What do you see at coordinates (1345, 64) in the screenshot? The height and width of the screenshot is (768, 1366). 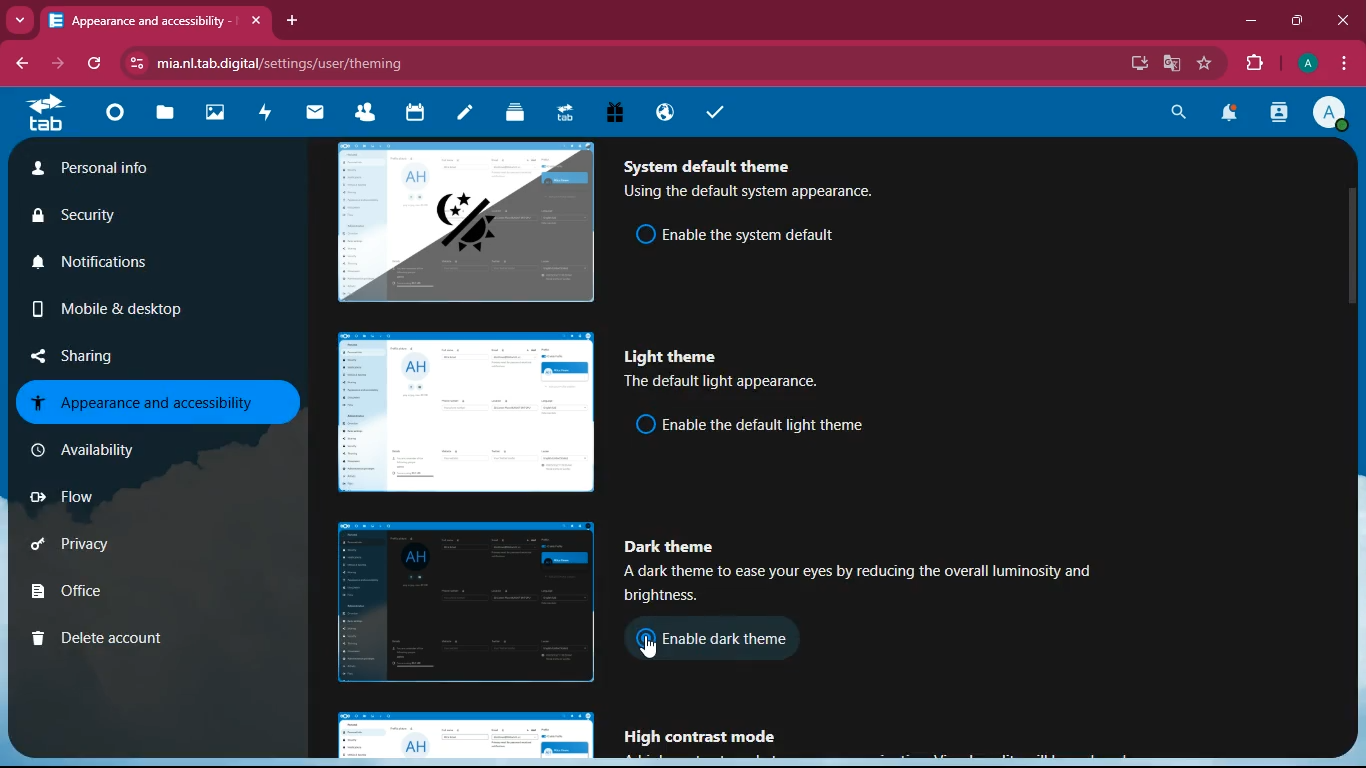 I see `menu` at bounding box center [1345, 64].